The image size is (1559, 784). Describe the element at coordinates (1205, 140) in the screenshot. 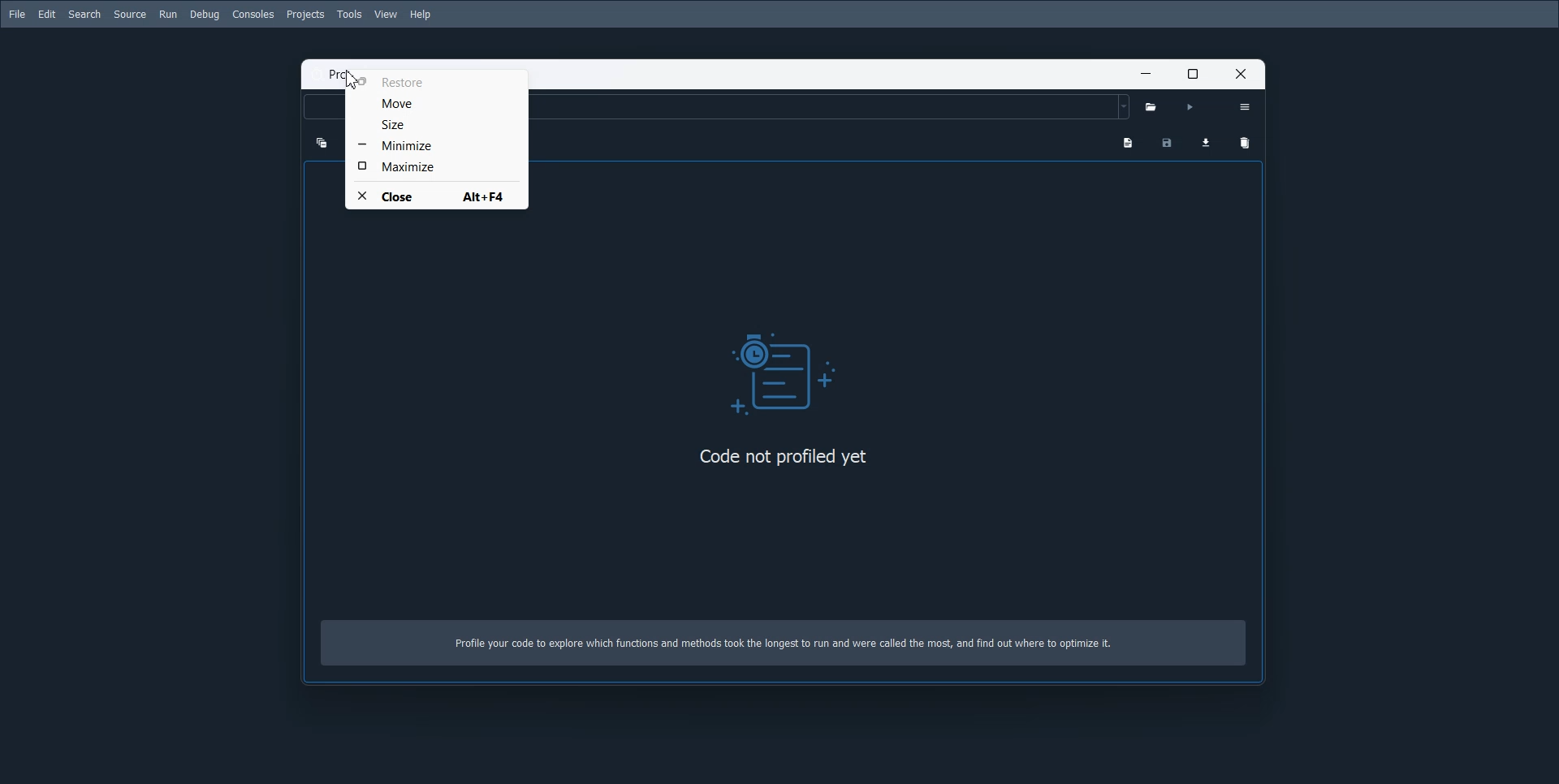

I see `Load profiling data for Comparison` at that location.